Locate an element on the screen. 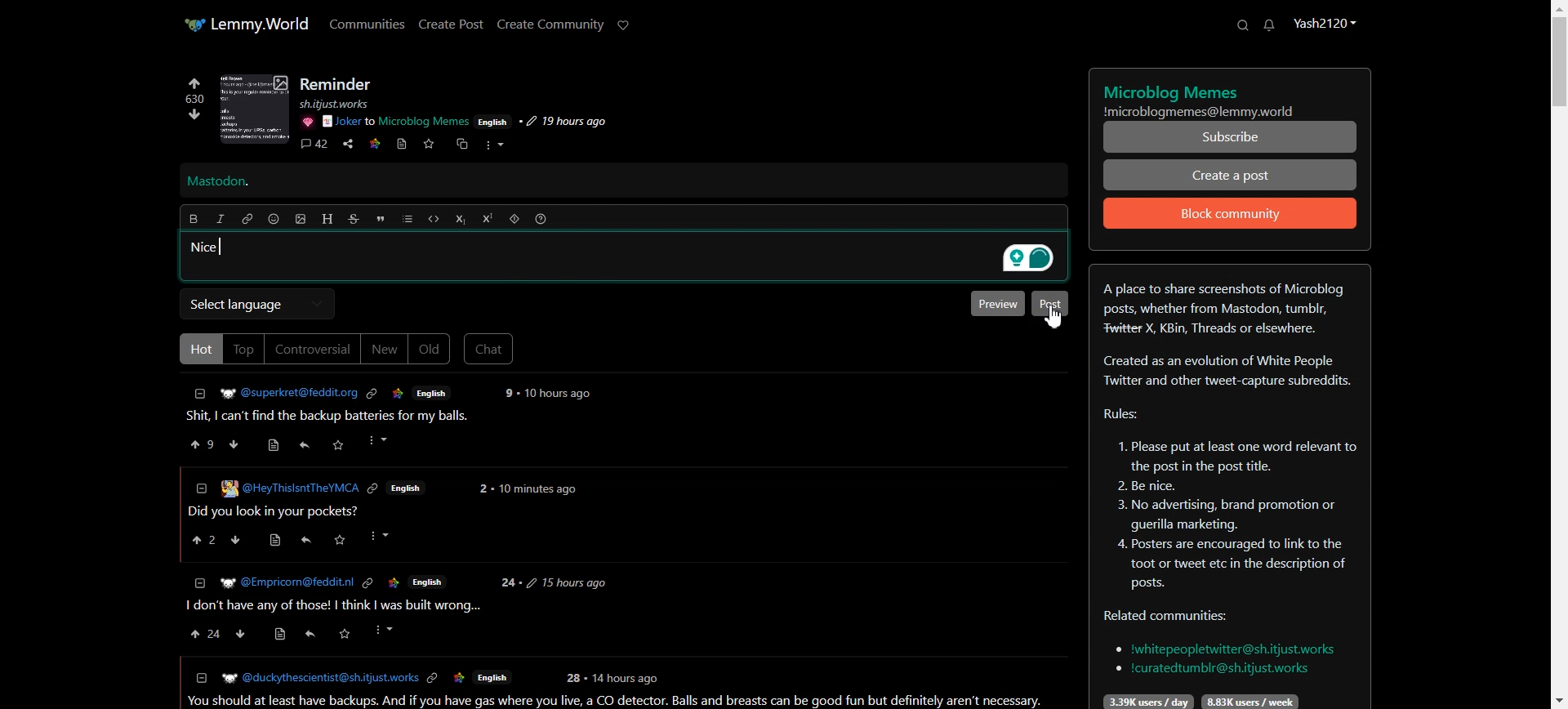 Image resolution: width=1568 pixels, height=709 pixels.  is located at coordinates (272, 541).